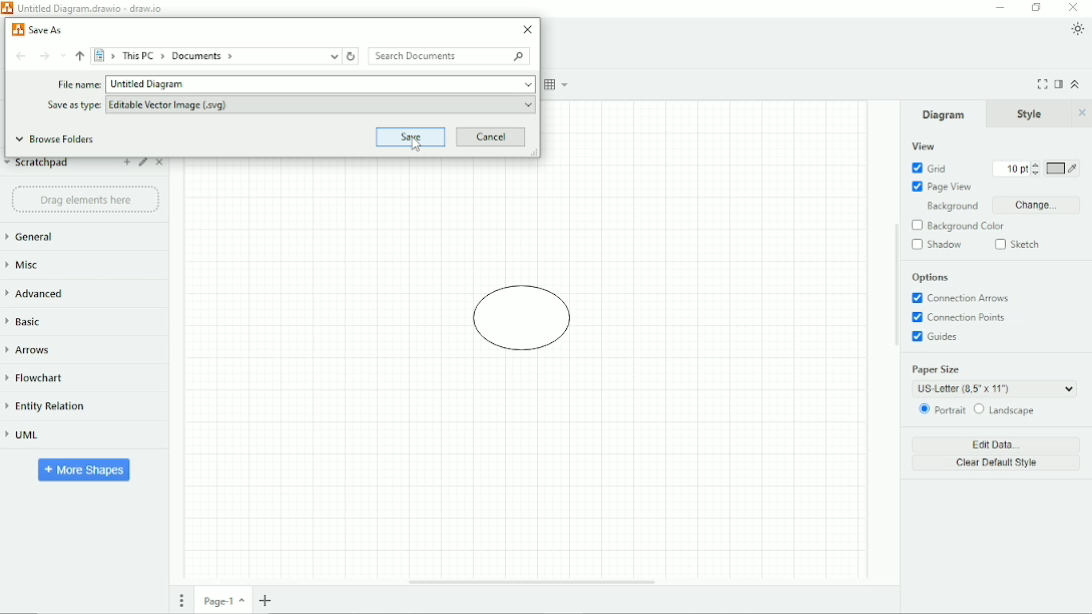 The height and width of the screenshot is (614, 1092). I want to click on Misc, so click(27, 265).